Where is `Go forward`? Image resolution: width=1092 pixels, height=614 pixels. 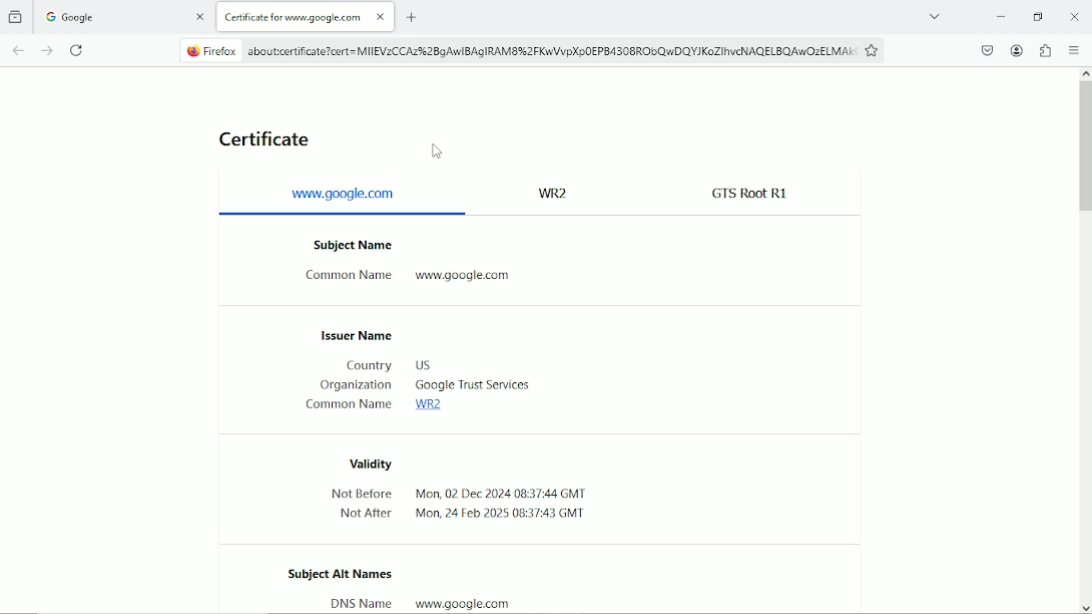 Go forward is located at coordinates (44, 50).